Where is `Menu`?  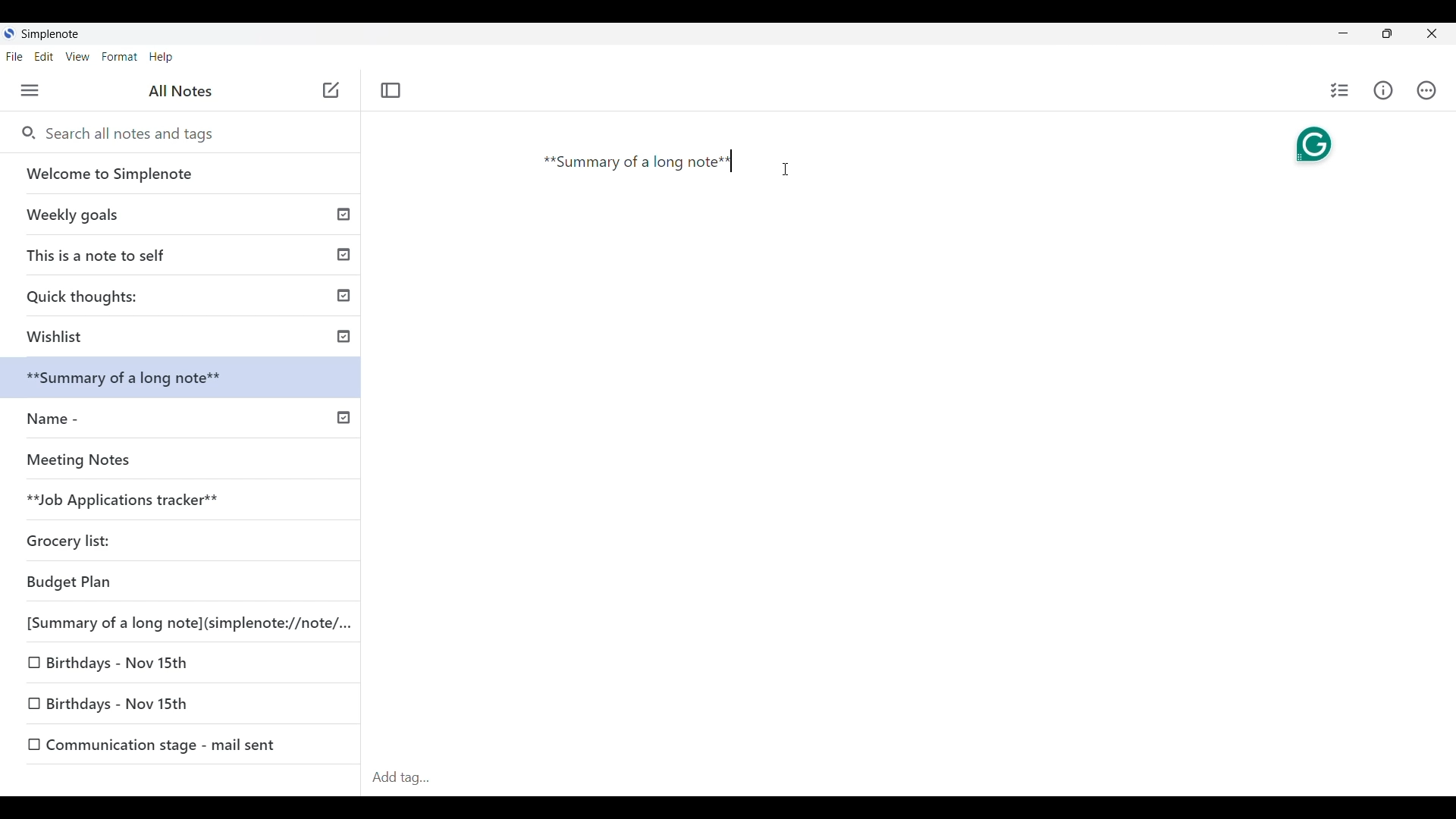 Menu is located at coordinates (30, 90).